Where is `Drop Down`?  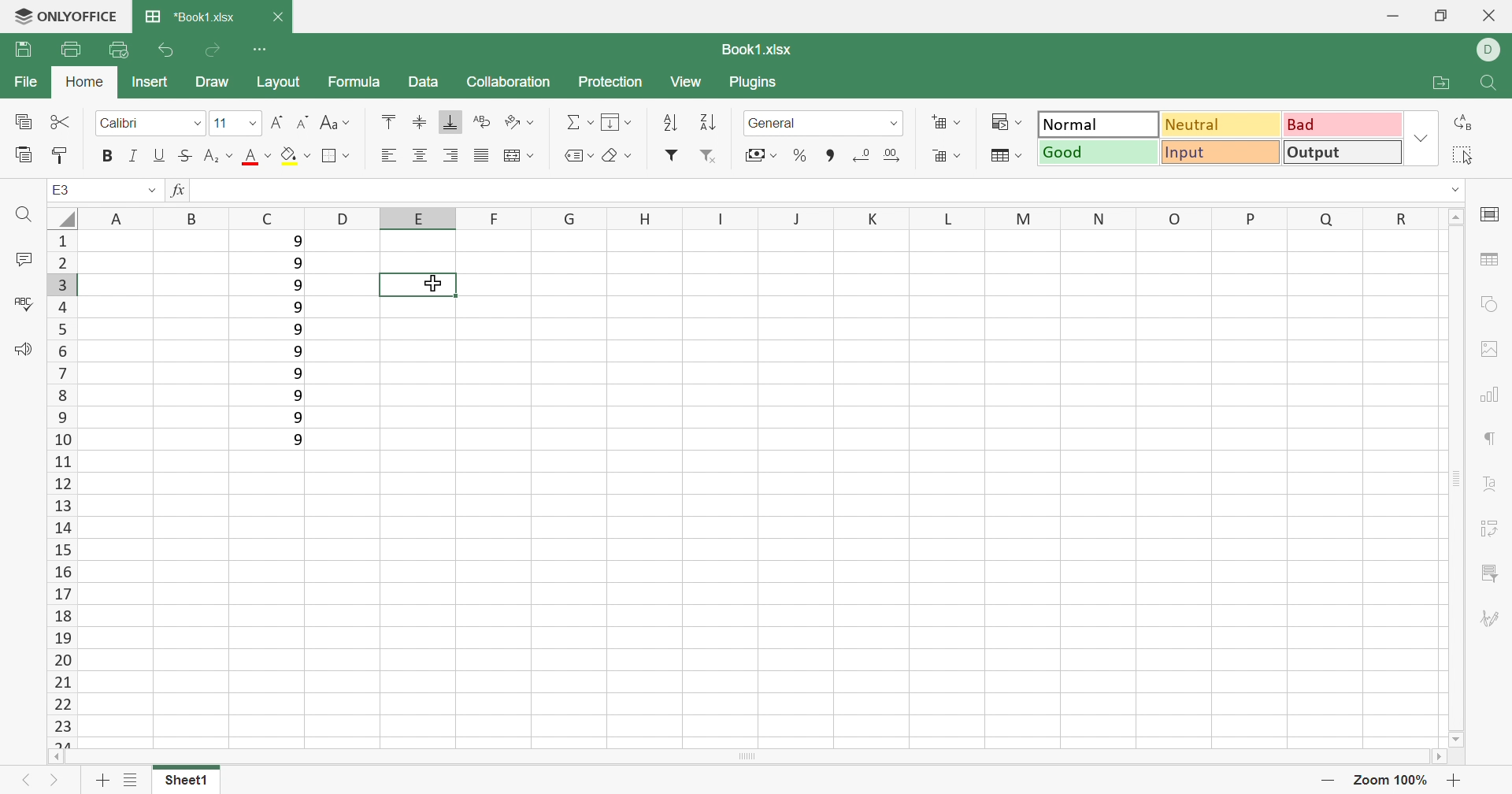 Drop Down is located at coordinates (152, 188).